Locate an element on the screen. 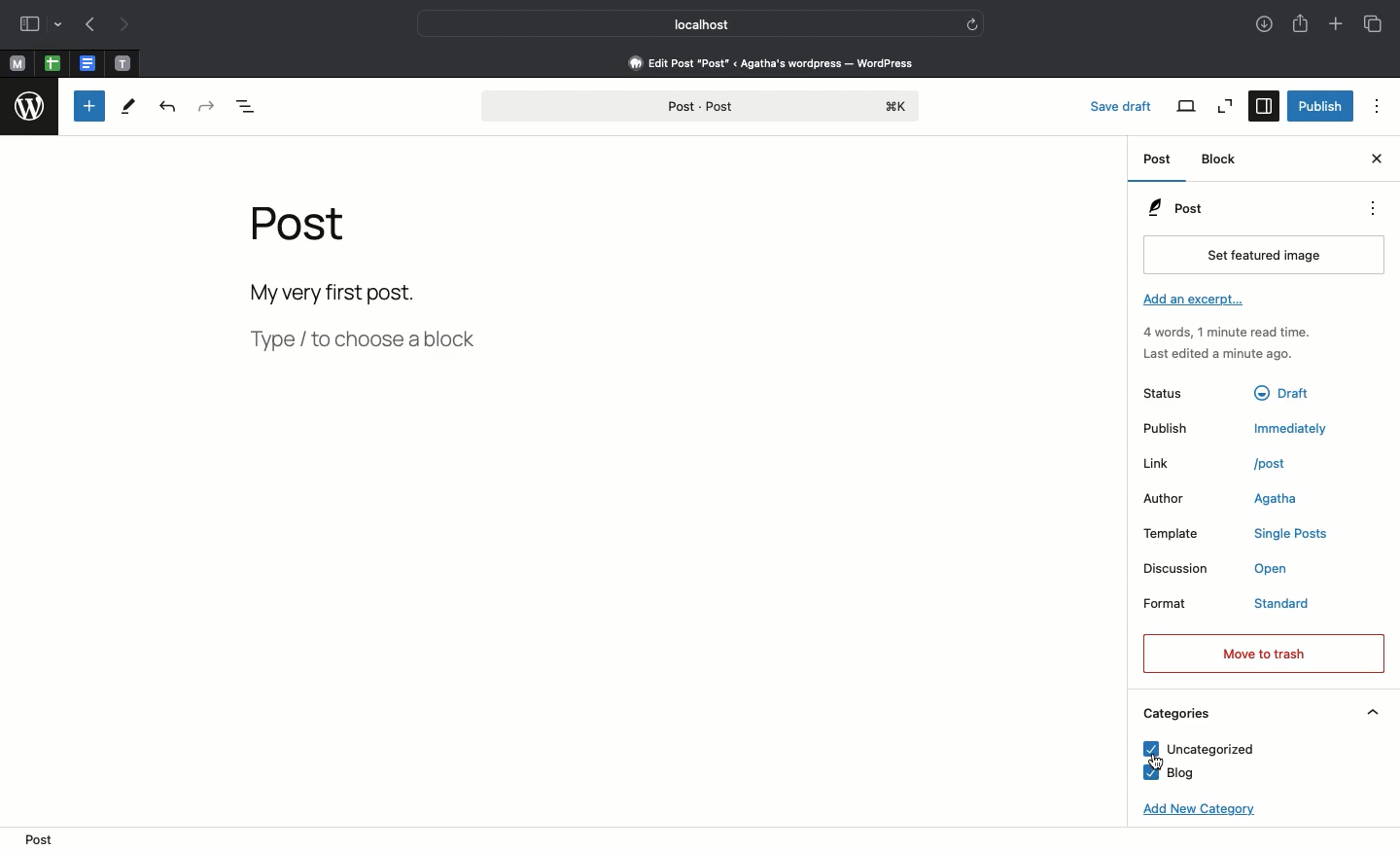  My very first post. Type / to choose a block is located at coordinates (370, 322).